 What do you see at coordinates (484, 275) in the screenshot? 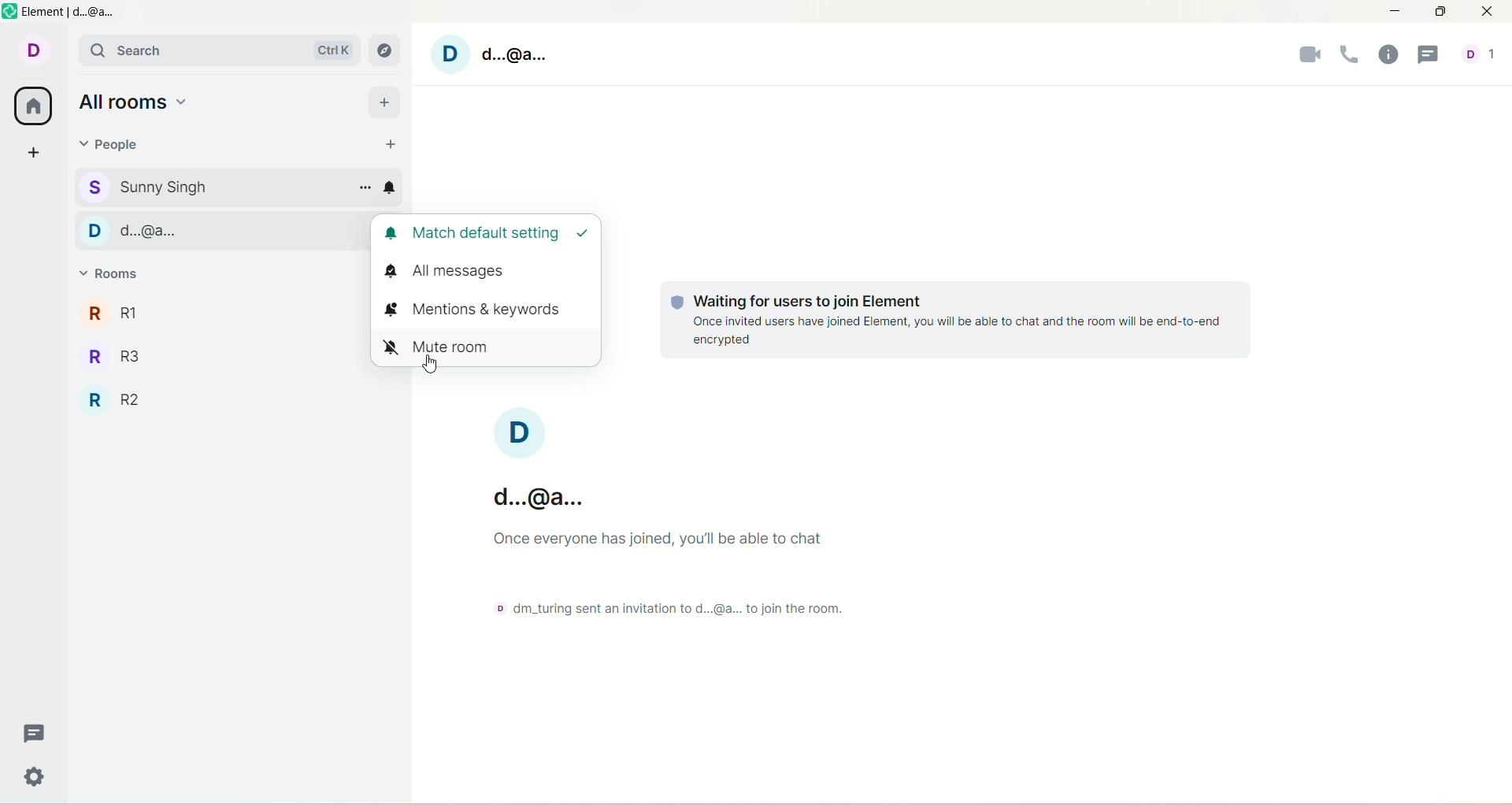
I see `all messages` at bounding box center [484, 275].